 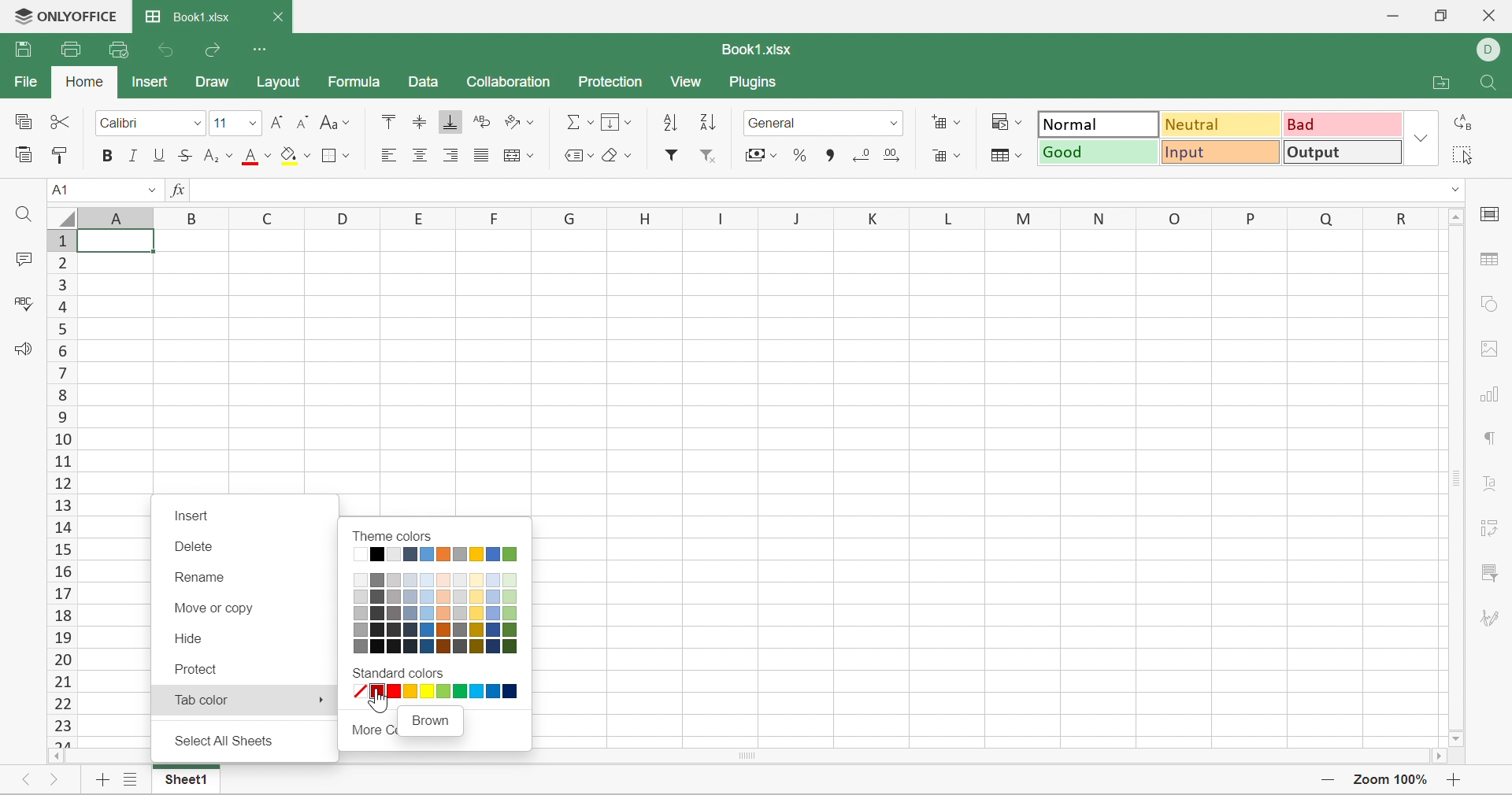 I want to click on Copy, so click(x=24, y=123).